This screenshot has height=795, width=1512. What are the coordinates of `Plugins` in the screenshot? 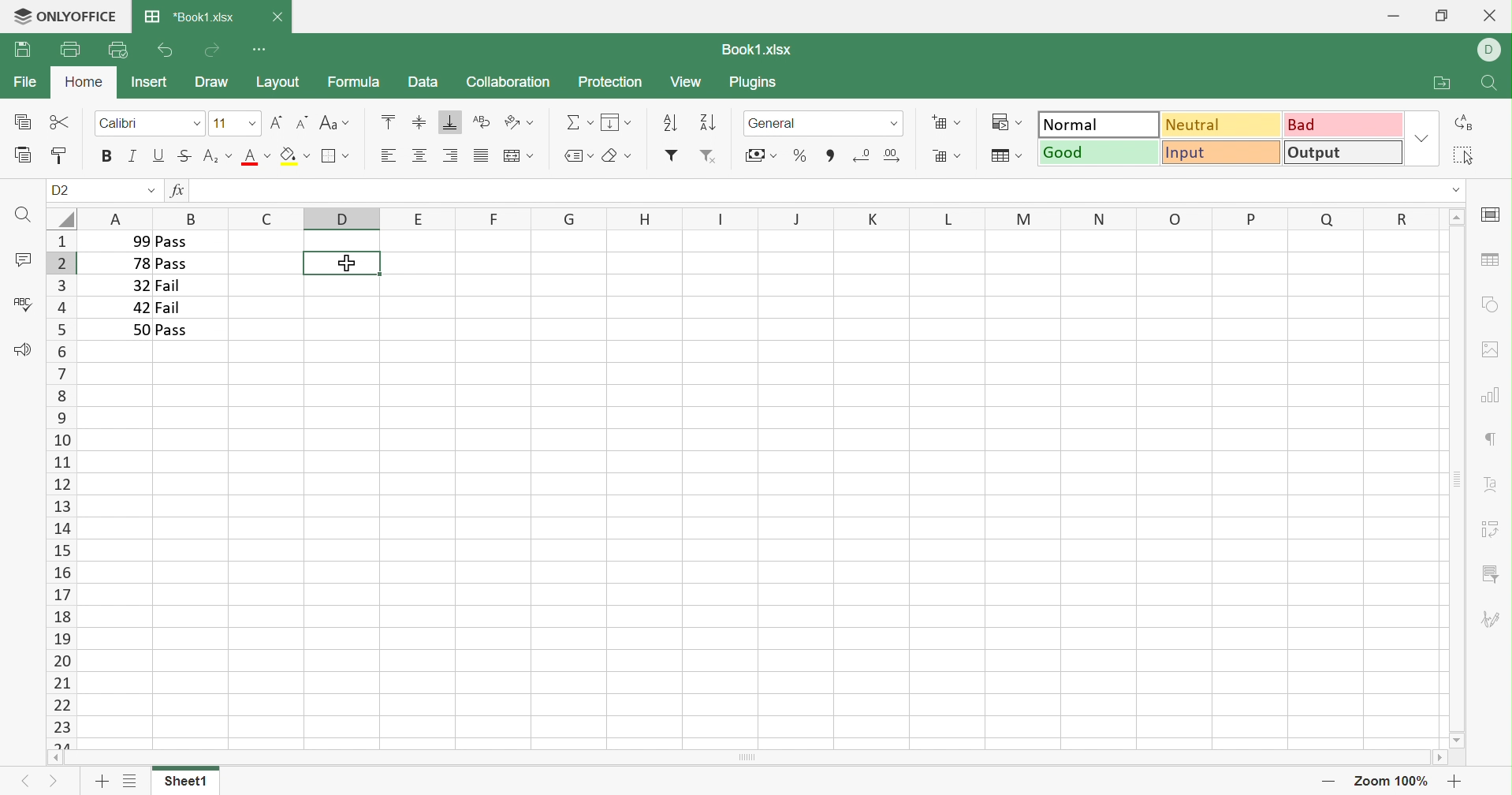 It's located at (755, 84).